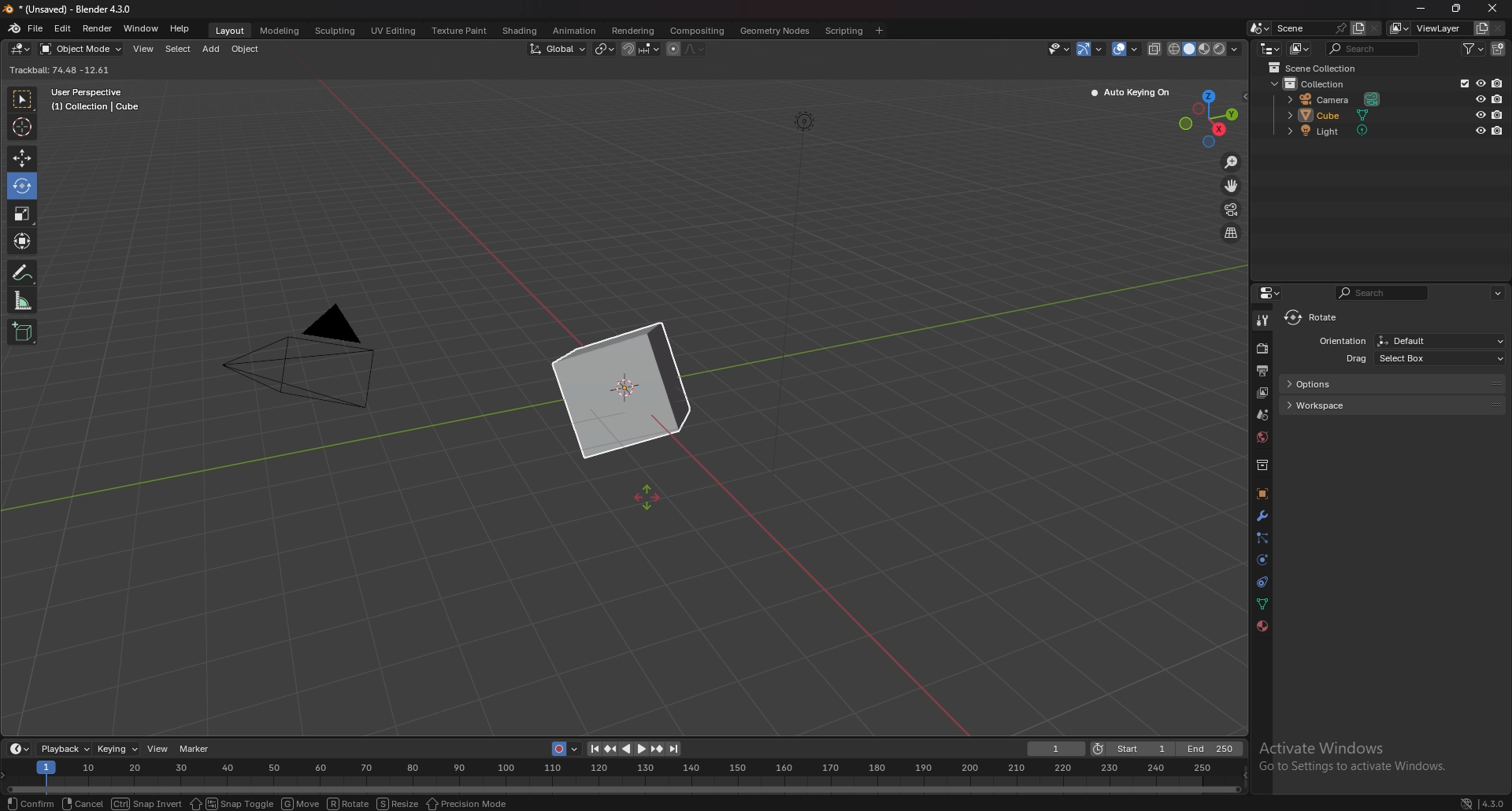  I want to click on preset viewpoint, so click(1213, 117).